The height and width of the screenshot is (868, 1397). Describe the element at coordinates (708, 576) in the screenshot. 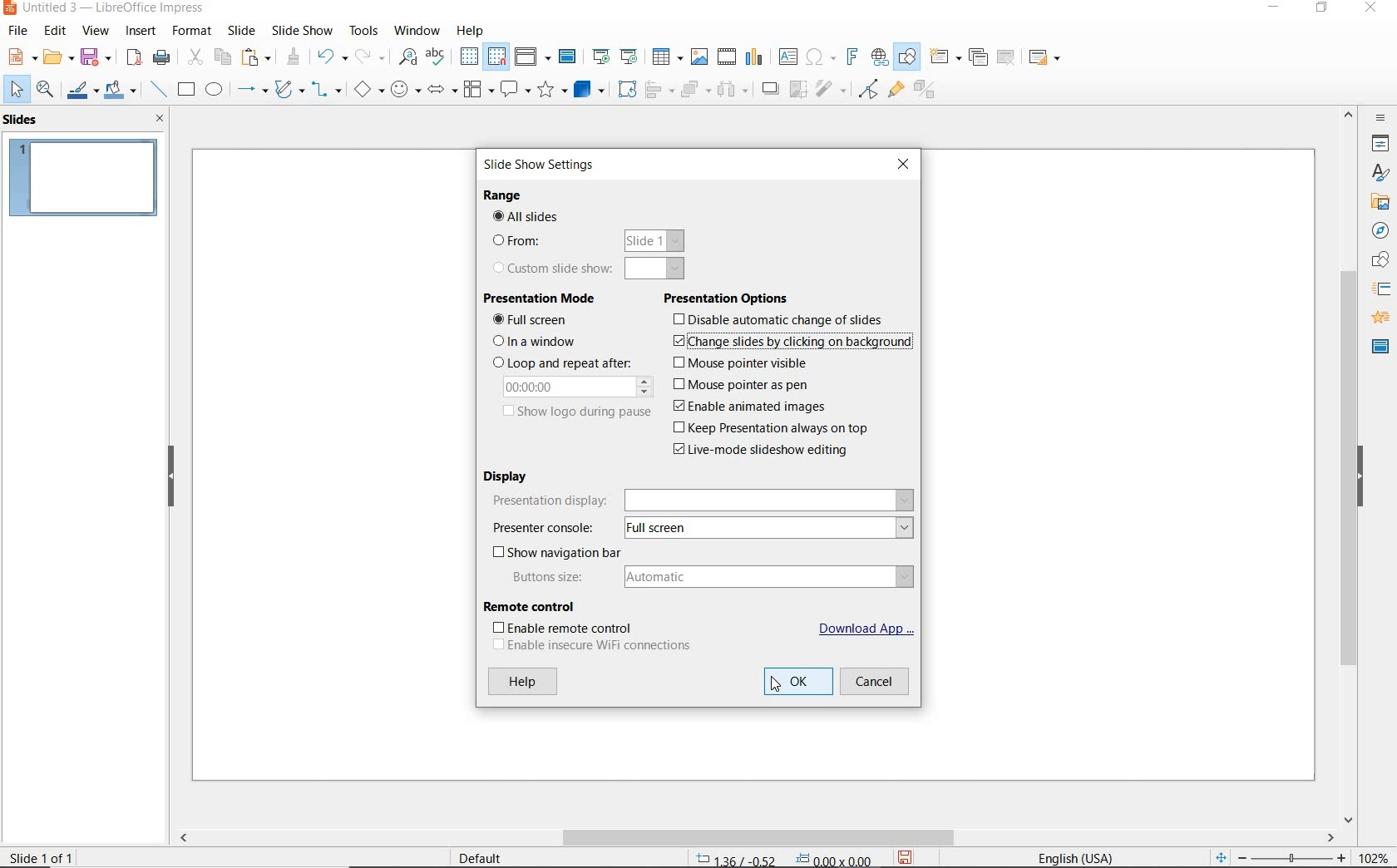

I see `BUTTONS SIZE` at that location.